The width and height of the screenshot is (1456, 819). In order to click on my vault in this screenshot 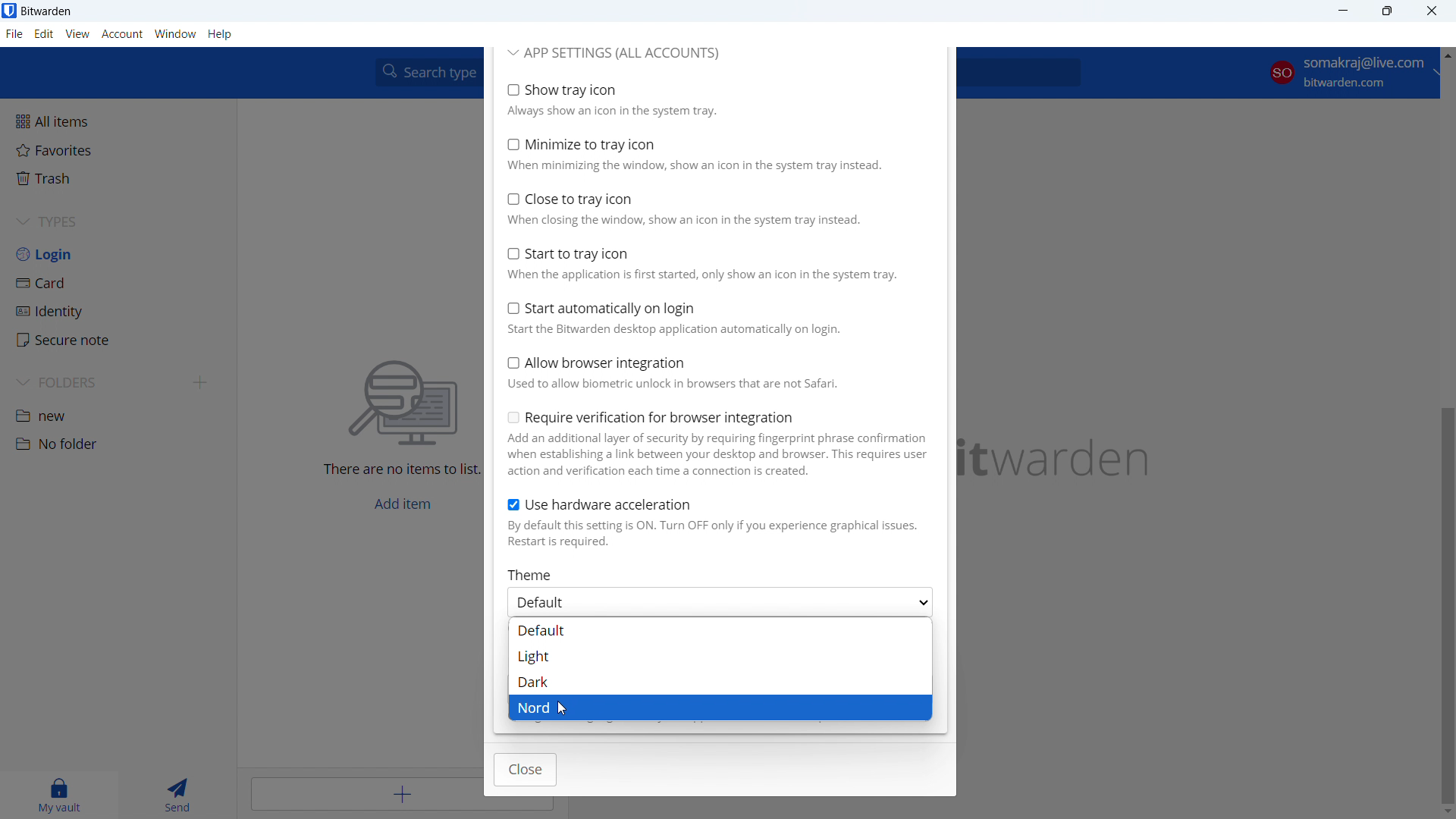, I will do `click(58, 795)`.